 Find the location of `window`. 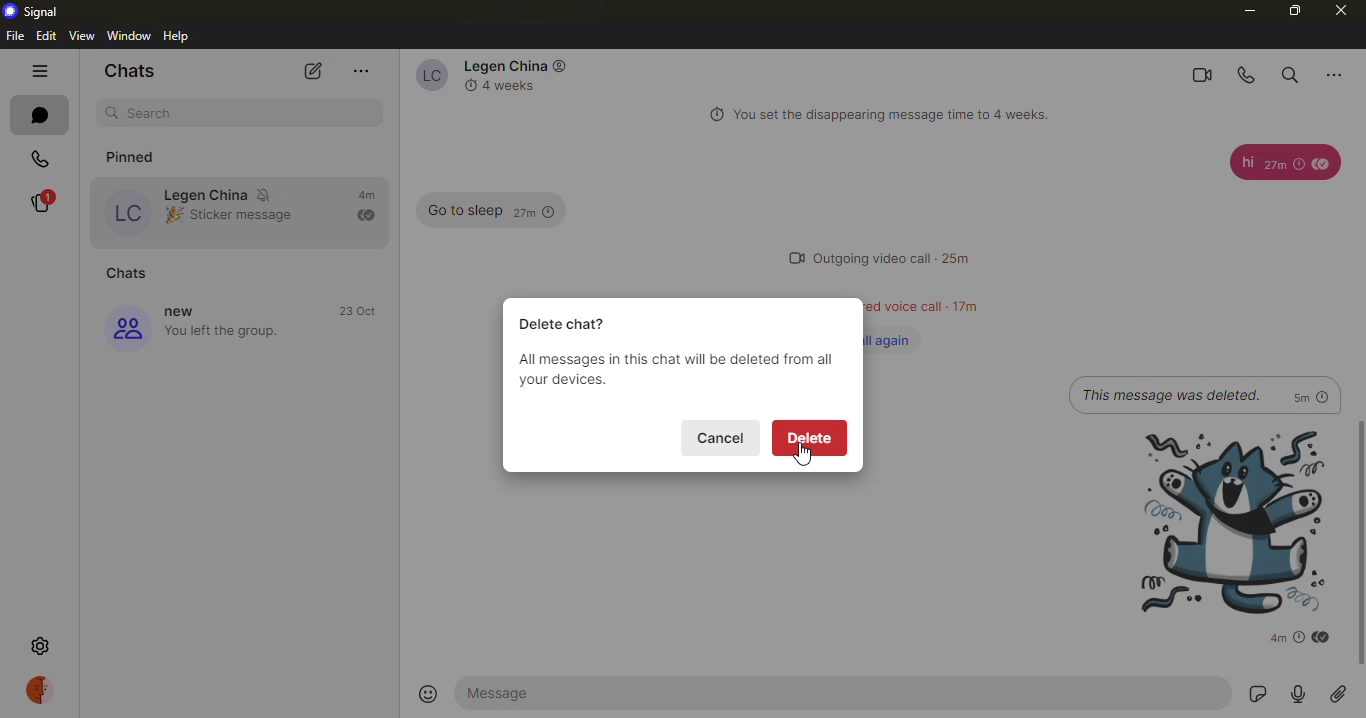

window is located at coordinates (129, 35).